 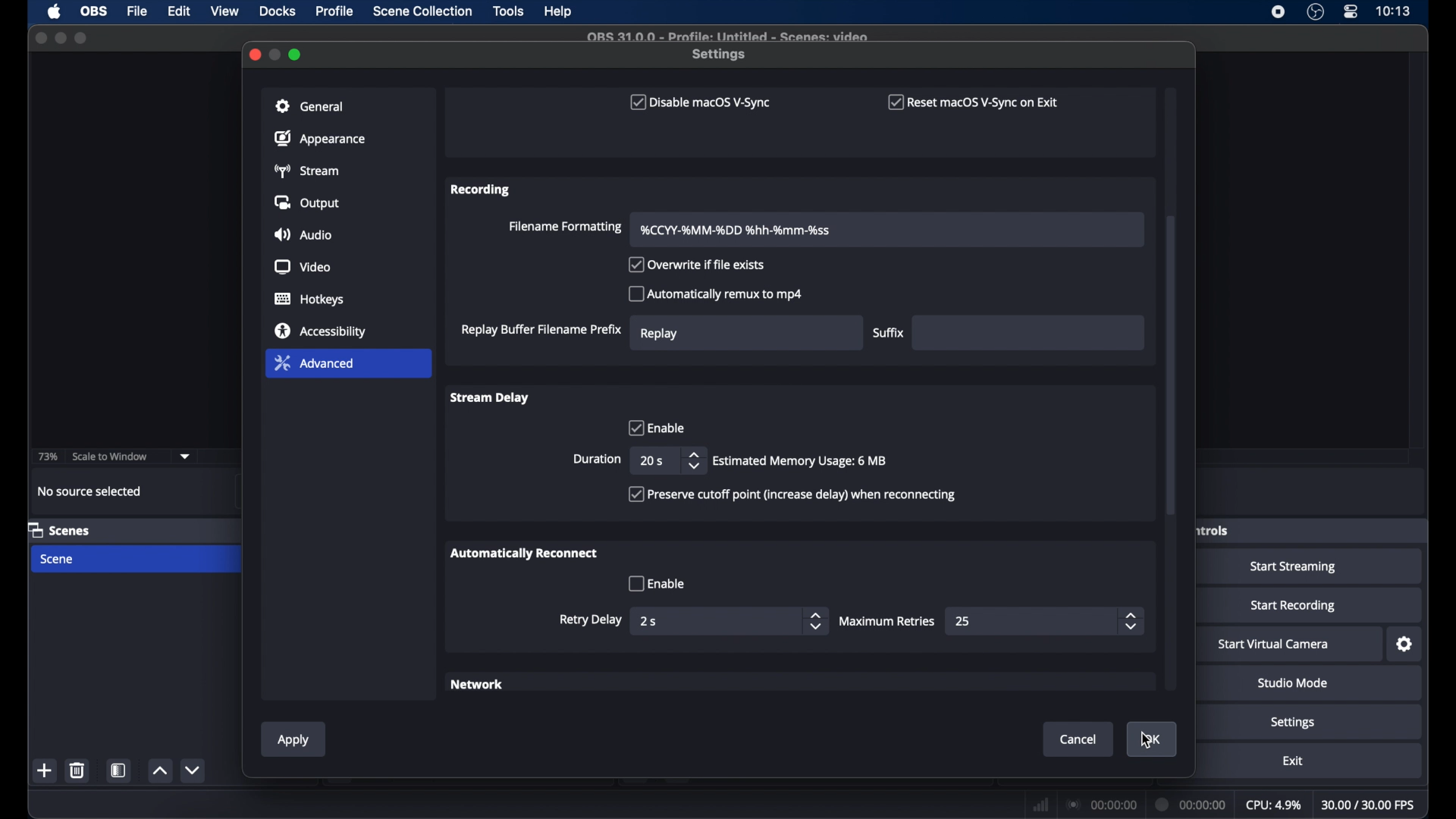 I want to click on 25, so click(x=964, y=621).